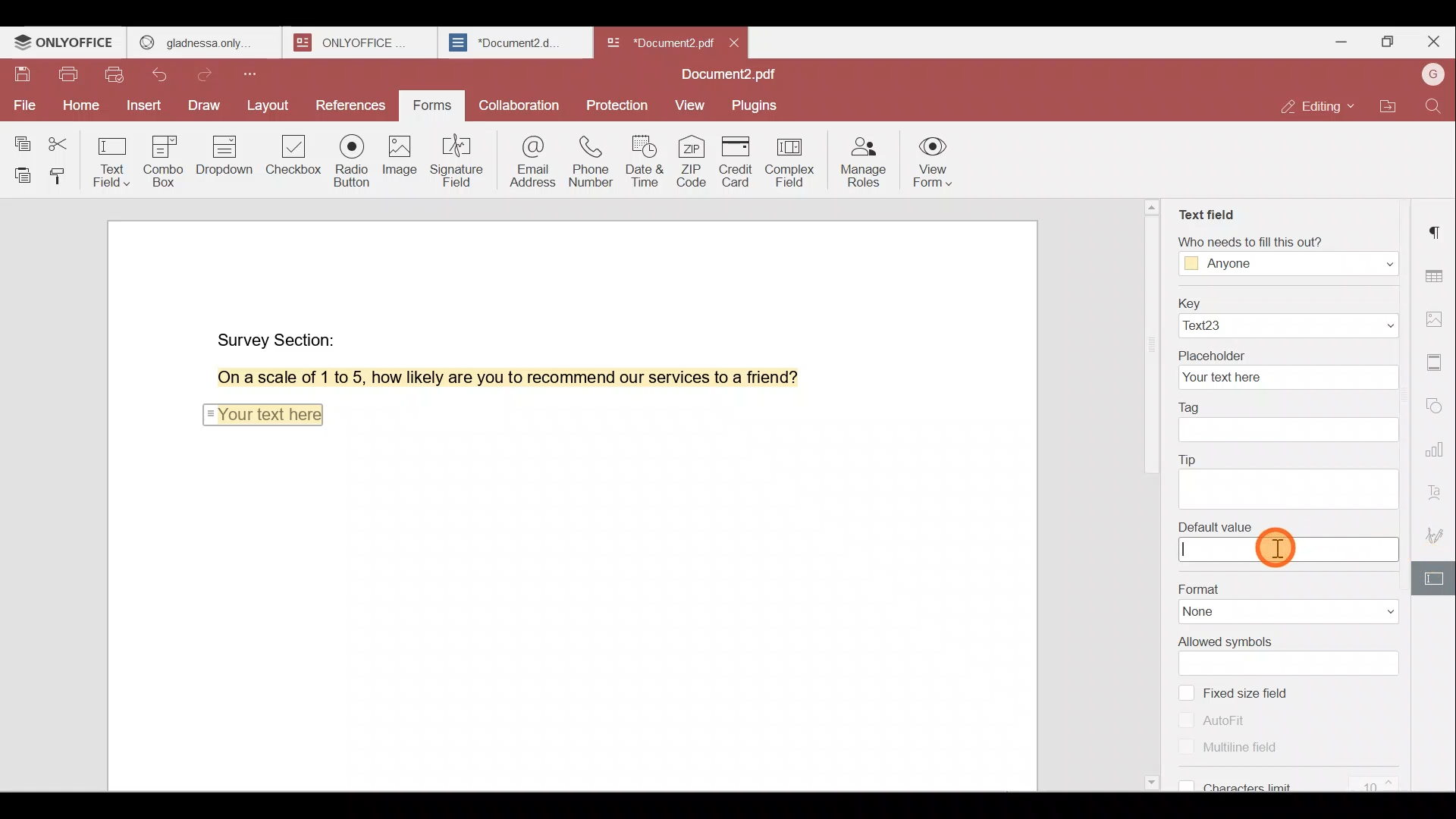  Describe the element at coordinates (690, 106) in the screenshot. I see `View` at that location.